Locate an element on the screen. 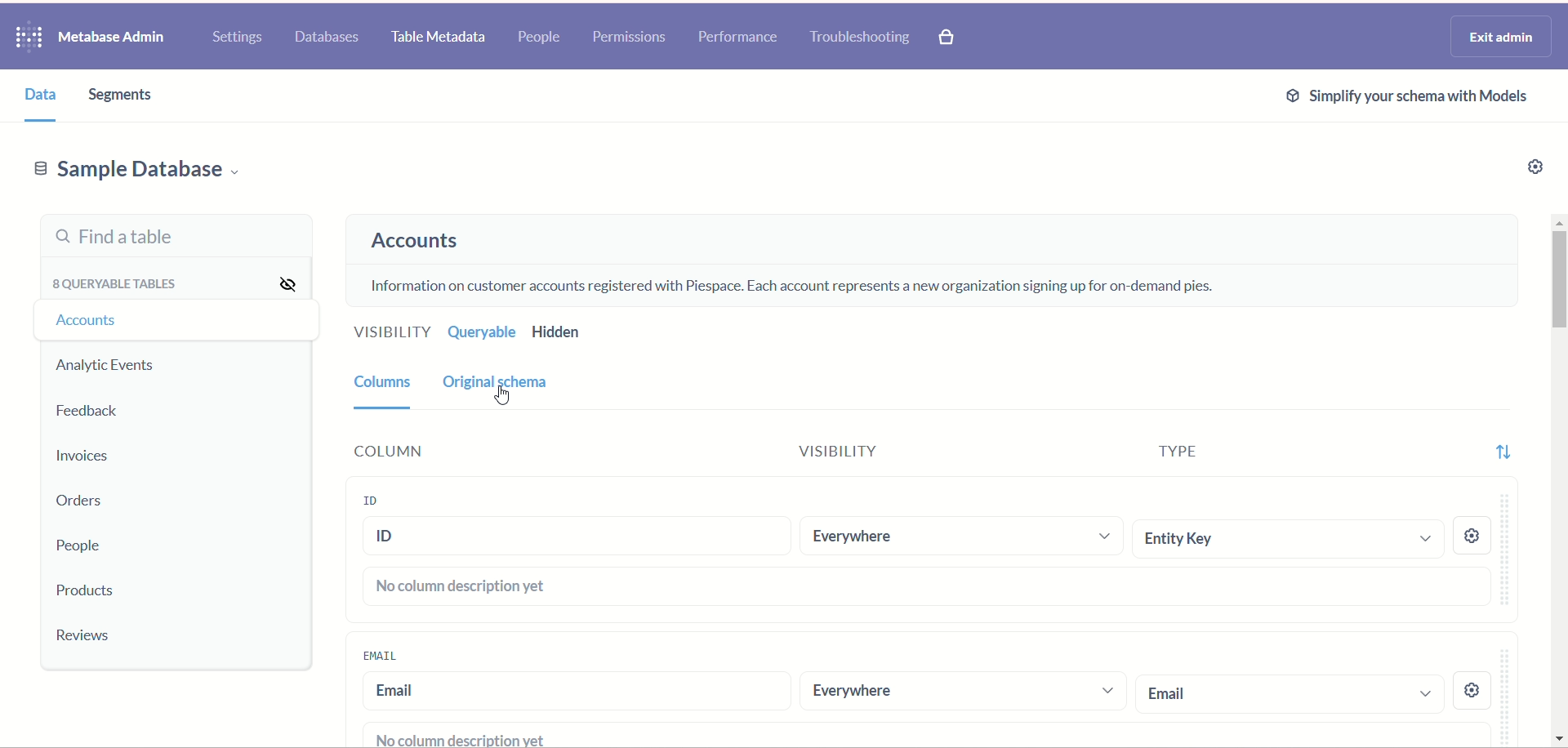 The image size is (1568, 748). Cursor is located at coordinates (503, 396).